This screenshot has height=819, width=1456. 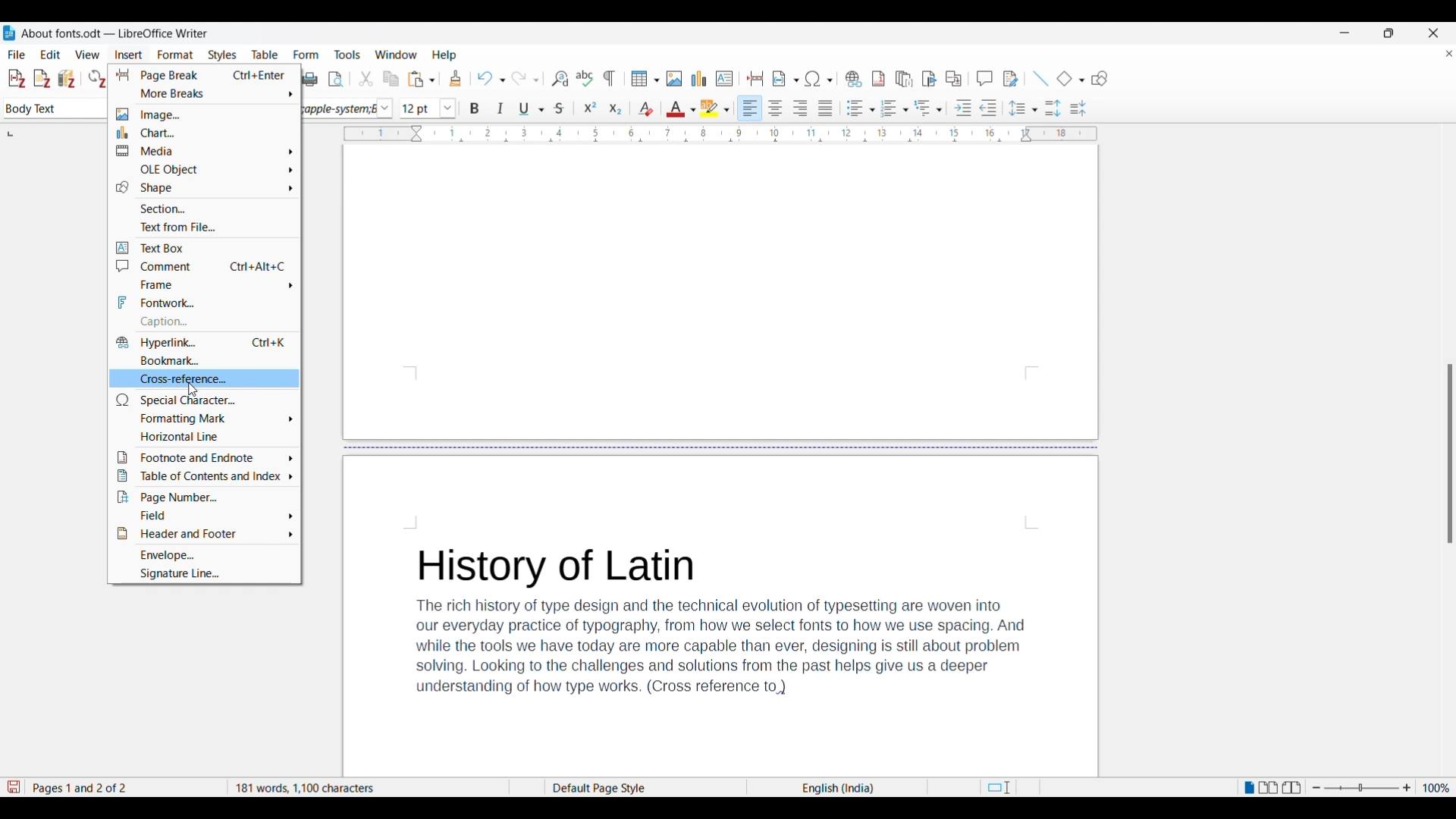 I want to click on Paste options, so click(x=422, y=79).